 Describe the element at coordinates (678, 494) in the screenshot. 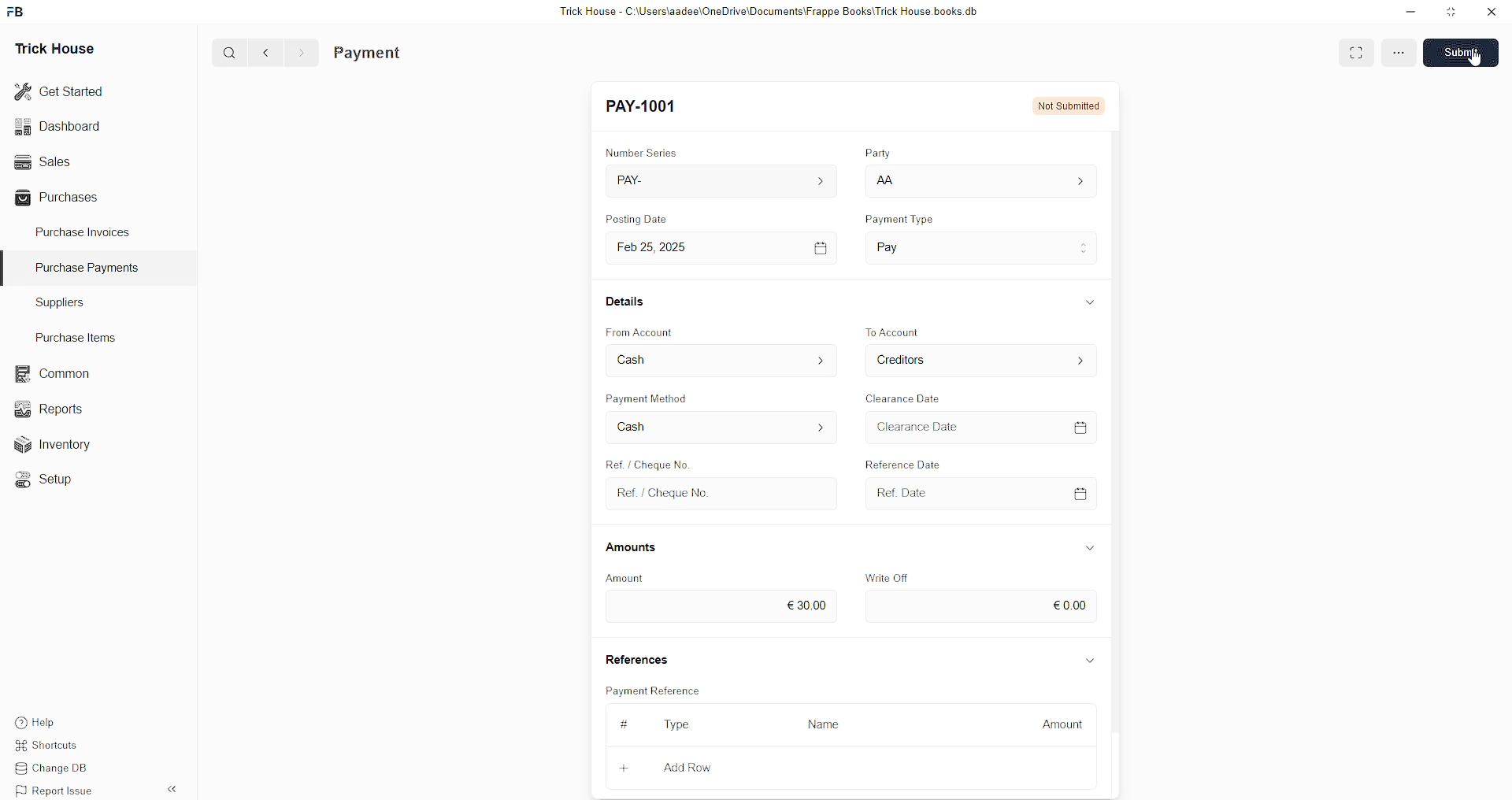

I see `Ref. / Cheque No.` at that location.